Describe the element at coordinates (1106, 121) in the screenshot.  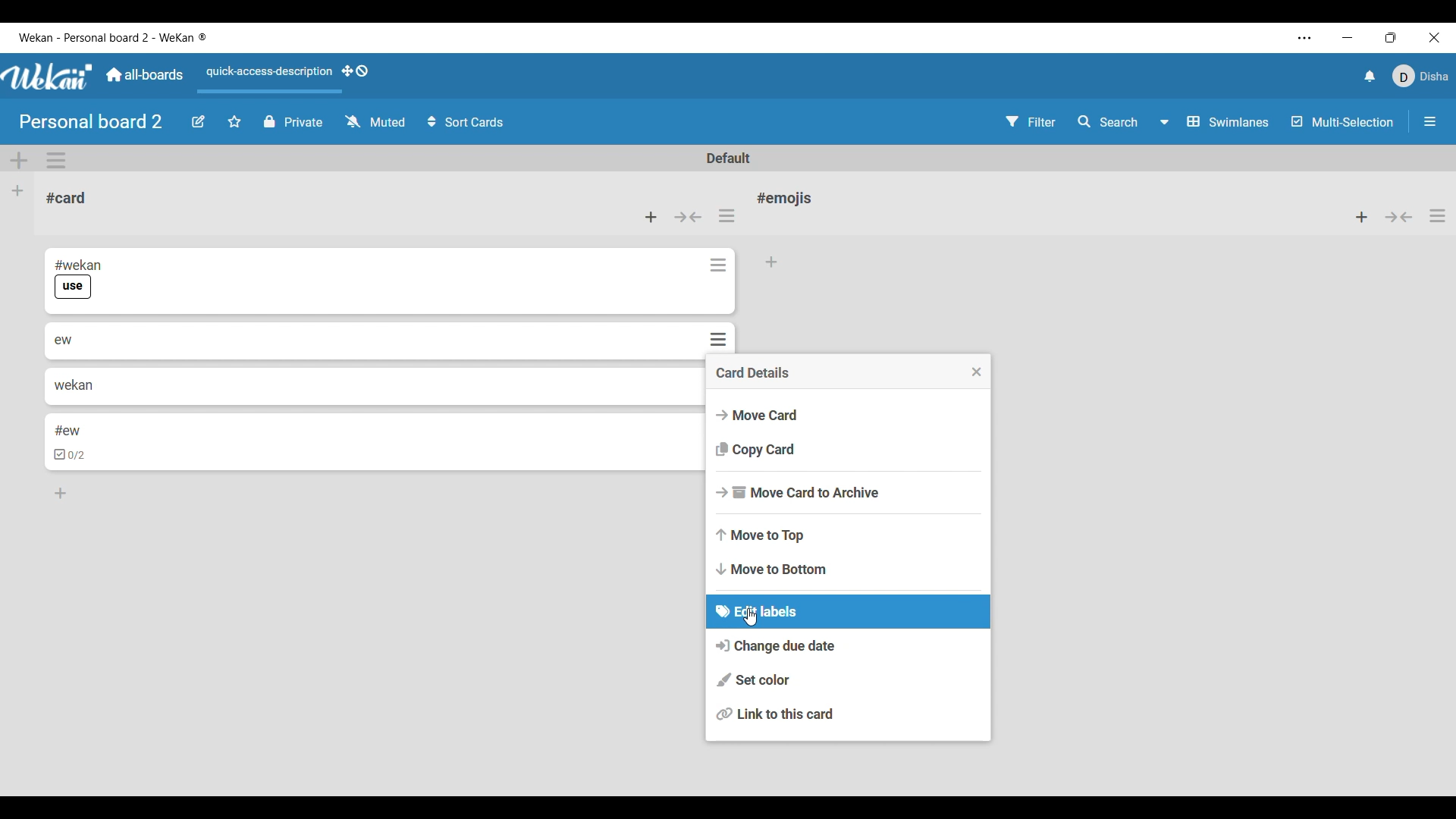
I see `Search` at that location.